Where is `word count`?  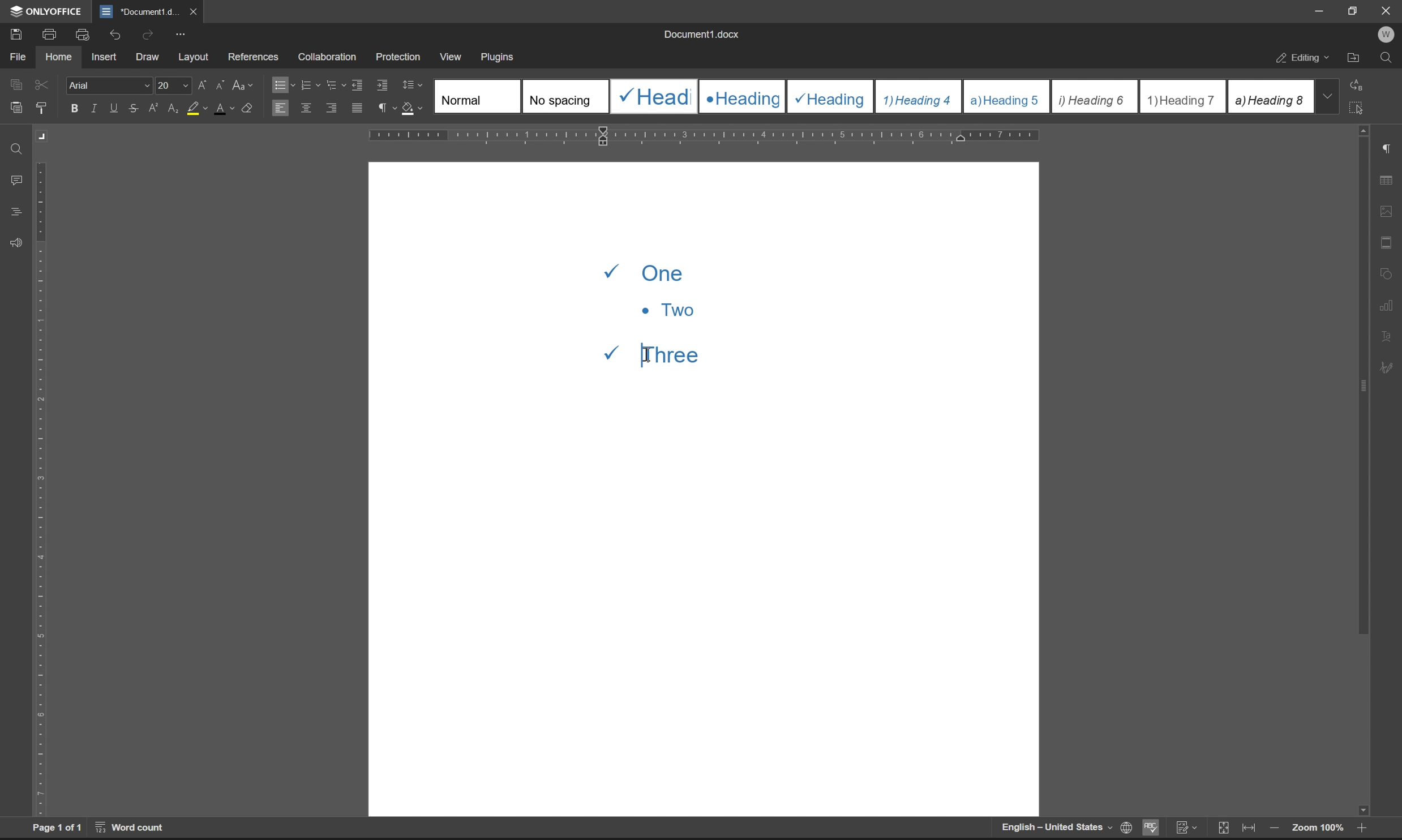 word count is located at coordinates (131, 827).